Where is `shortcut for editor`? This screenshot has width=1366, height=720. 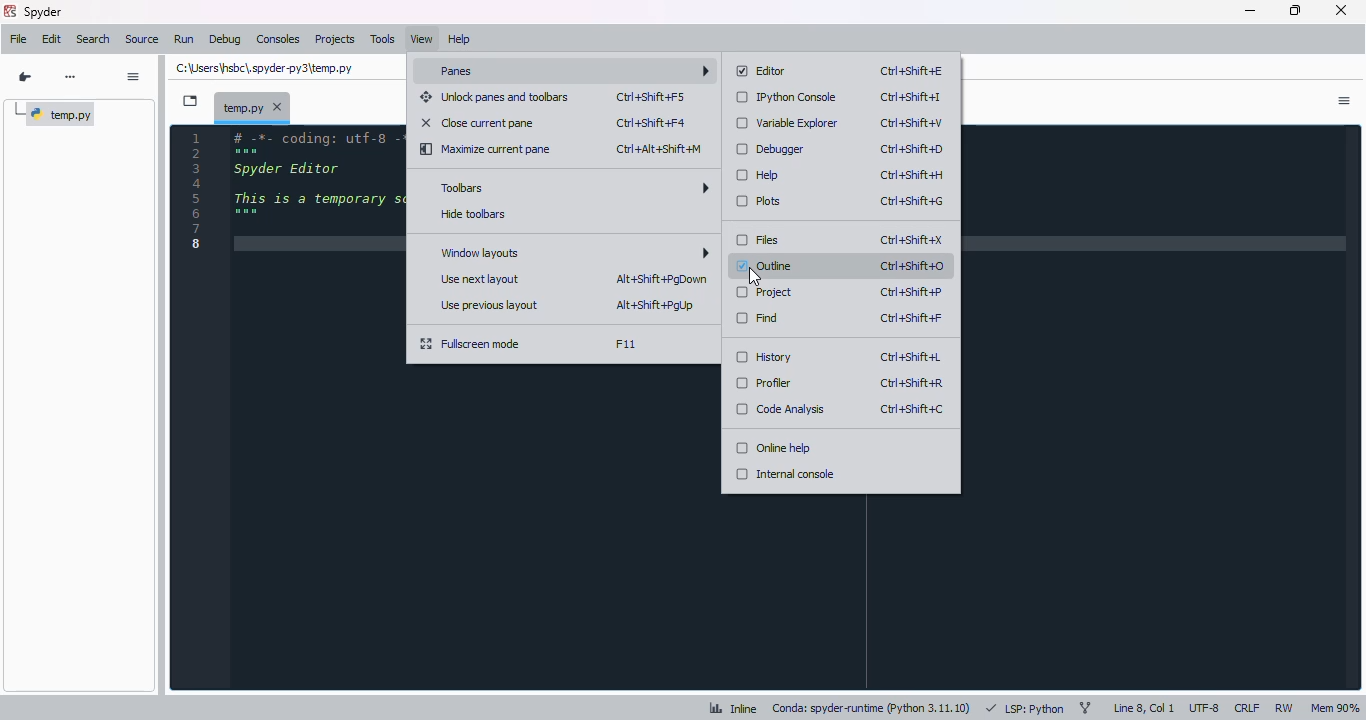 shortcut for editor is located at coordinates (913, 71).